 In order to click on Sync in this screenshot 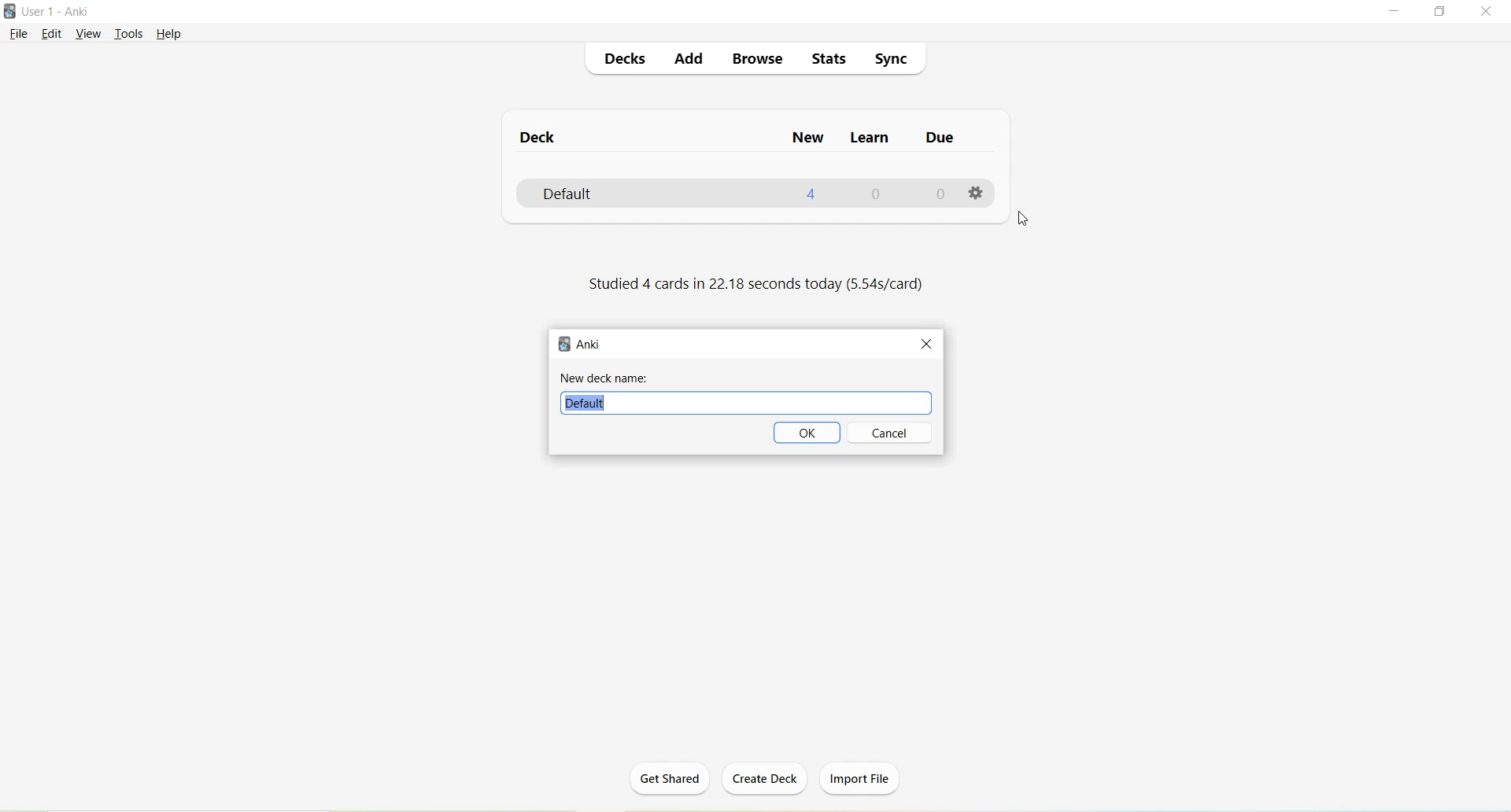, I will do `click(890, 61)`.